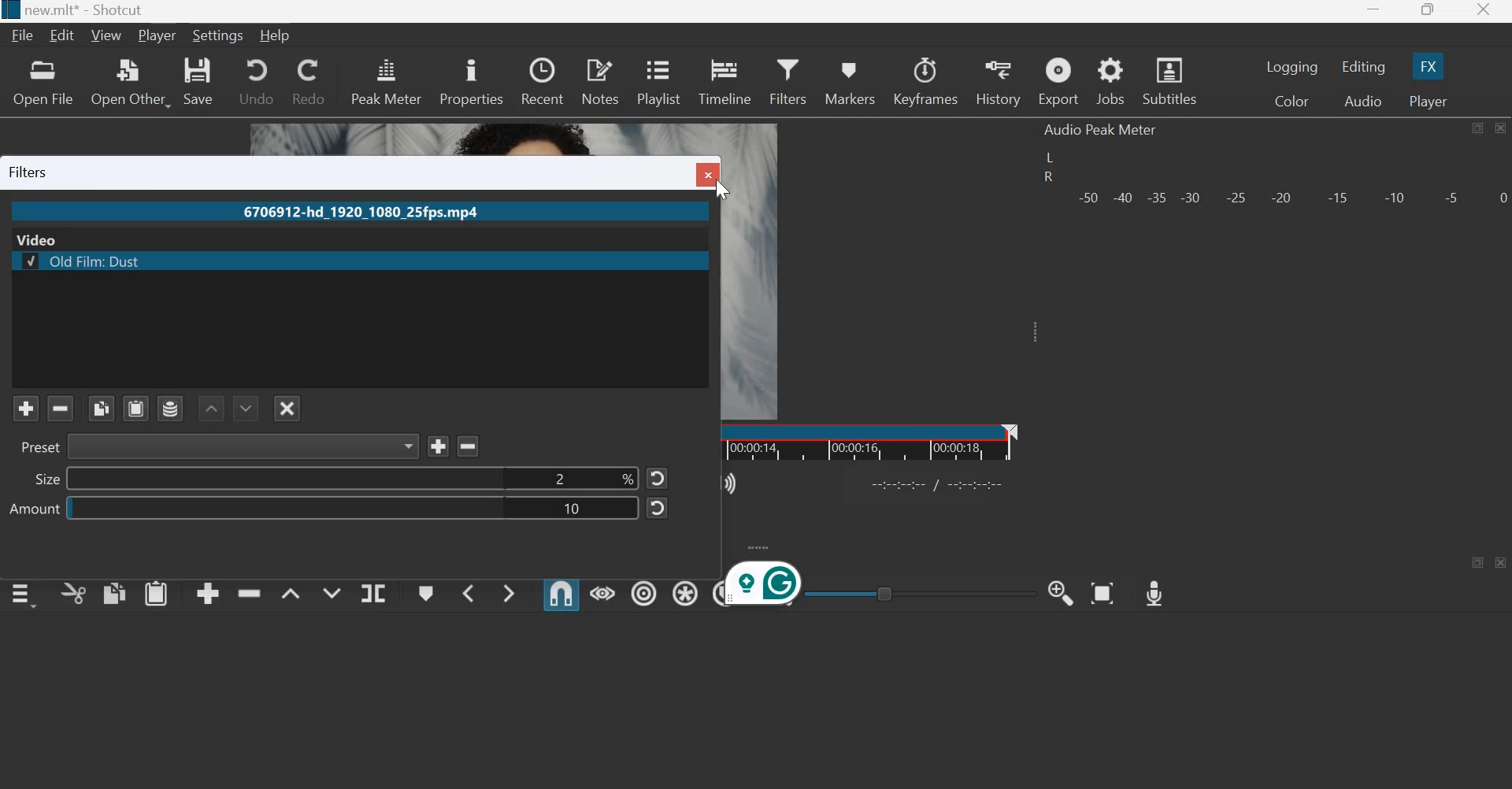 The image size is (1512, 789). What do you see at coordinates (997, 82) in the screenshot?
I see `history` at bounding box center [997, 82].